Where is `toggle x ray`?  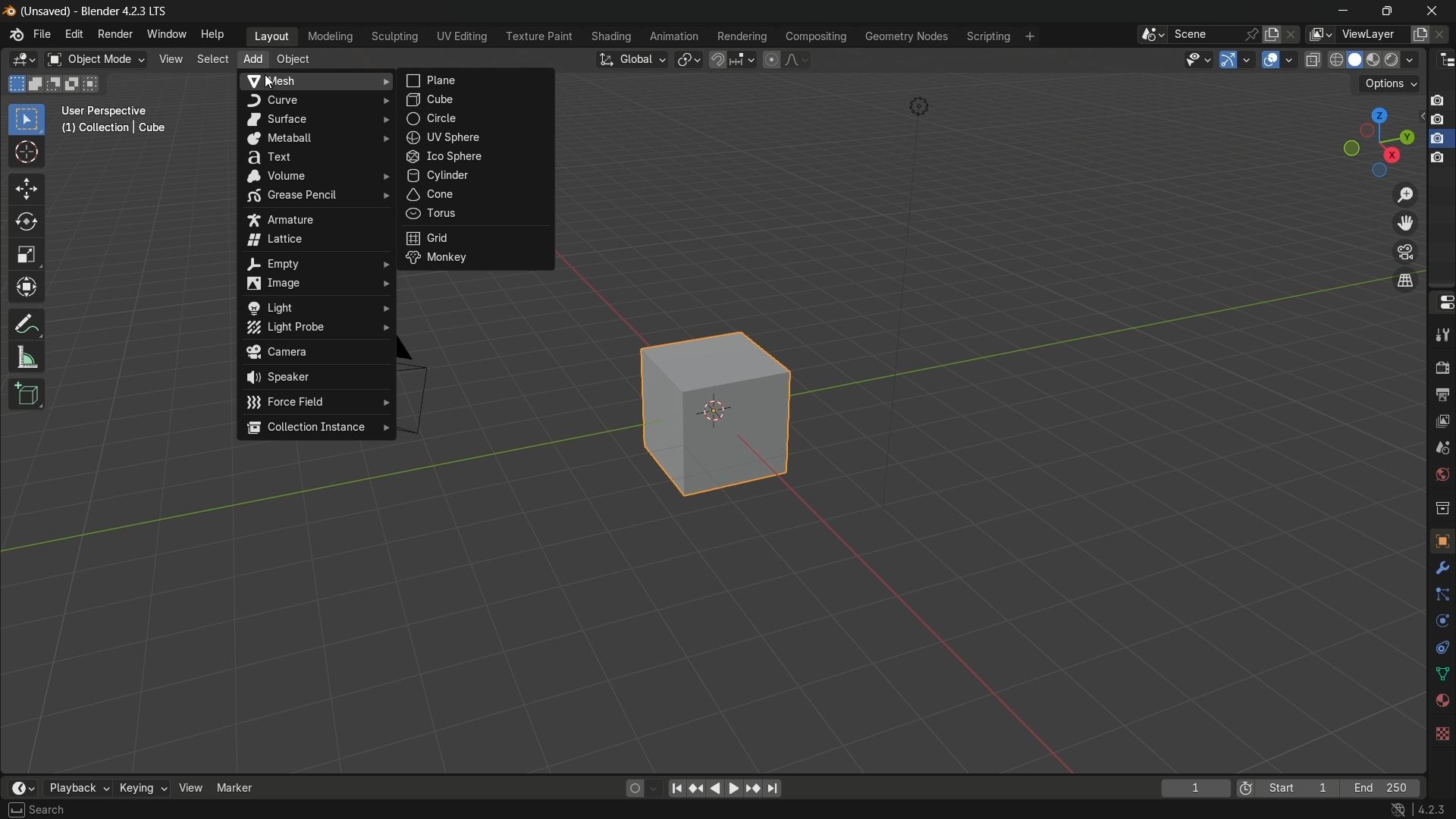
toggle x ray is located at coordinates (1313, 59).